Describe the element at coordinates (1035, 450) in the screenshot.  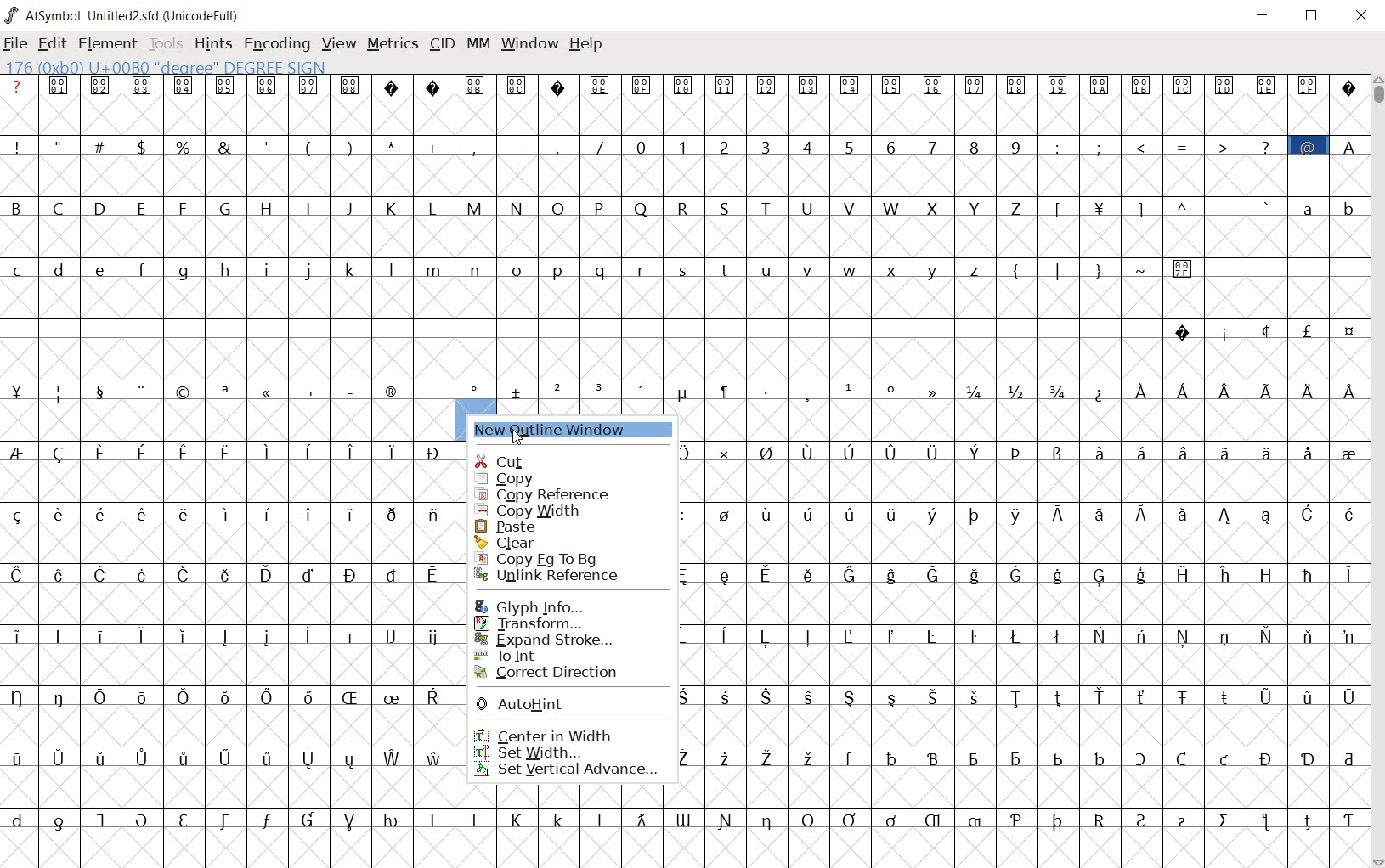
I see `special letters` at that location.